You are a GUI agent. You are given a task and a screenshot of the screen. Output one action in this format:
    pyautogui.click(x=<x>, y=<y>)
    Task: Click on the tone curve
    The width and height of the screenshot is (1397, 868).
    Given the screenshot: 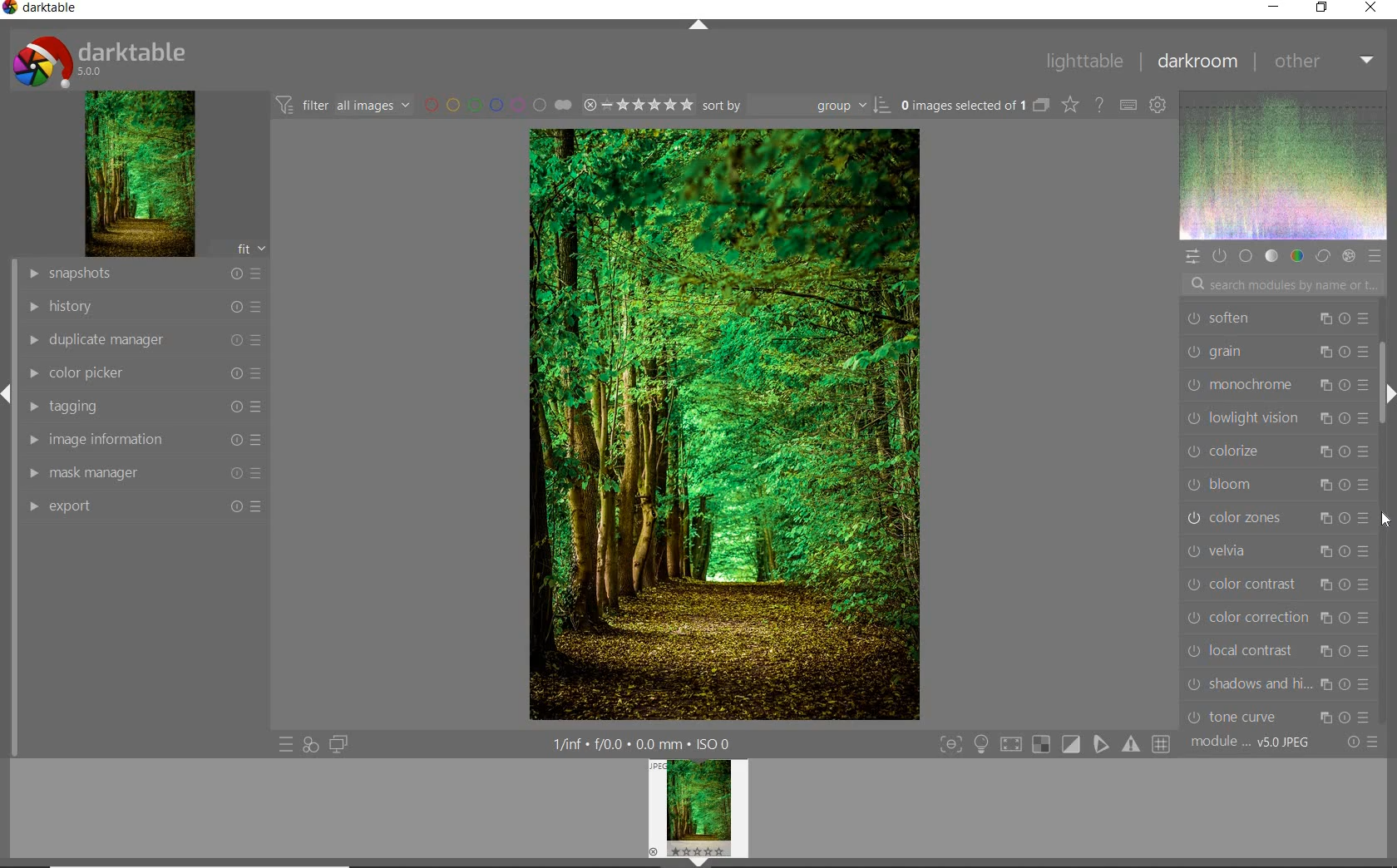 What is the action you would take?
    pyautogui.click(x=1281, y=718)
    